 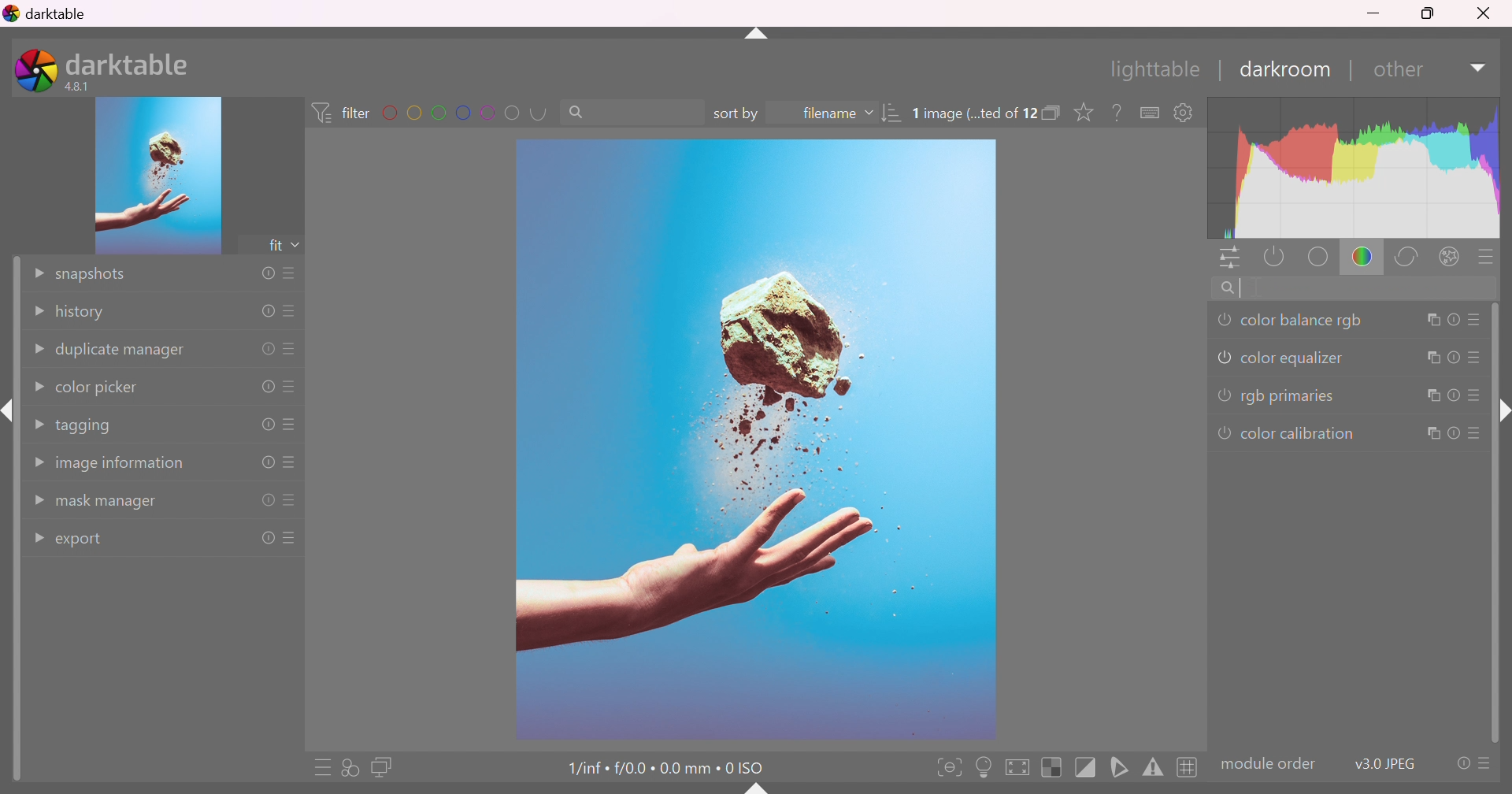 I want to click on display a second darkroom image window, so click(x=384, y=767).